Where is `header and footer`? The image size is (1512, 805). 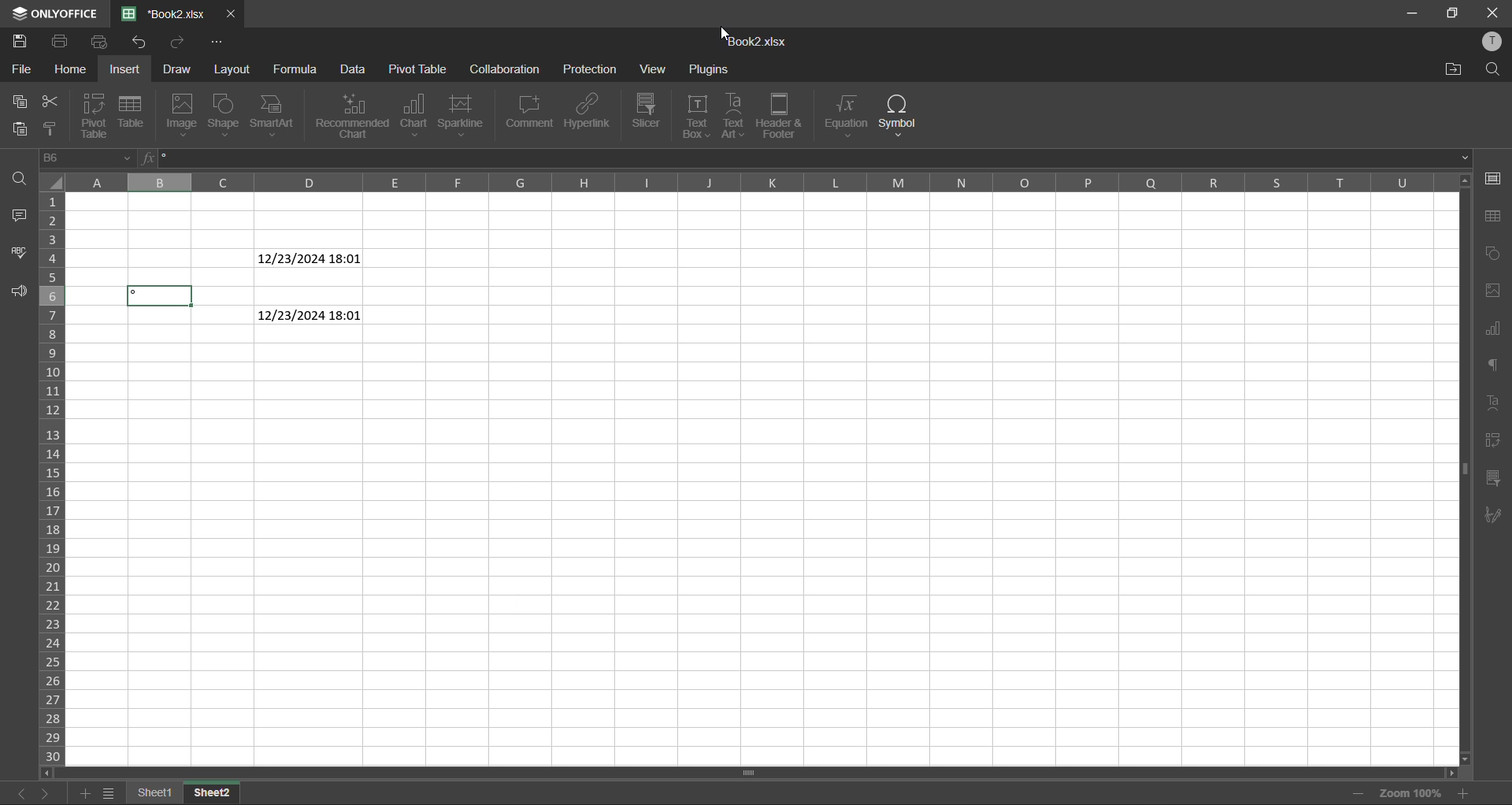
header and footer is located at coordinates (786, 117).